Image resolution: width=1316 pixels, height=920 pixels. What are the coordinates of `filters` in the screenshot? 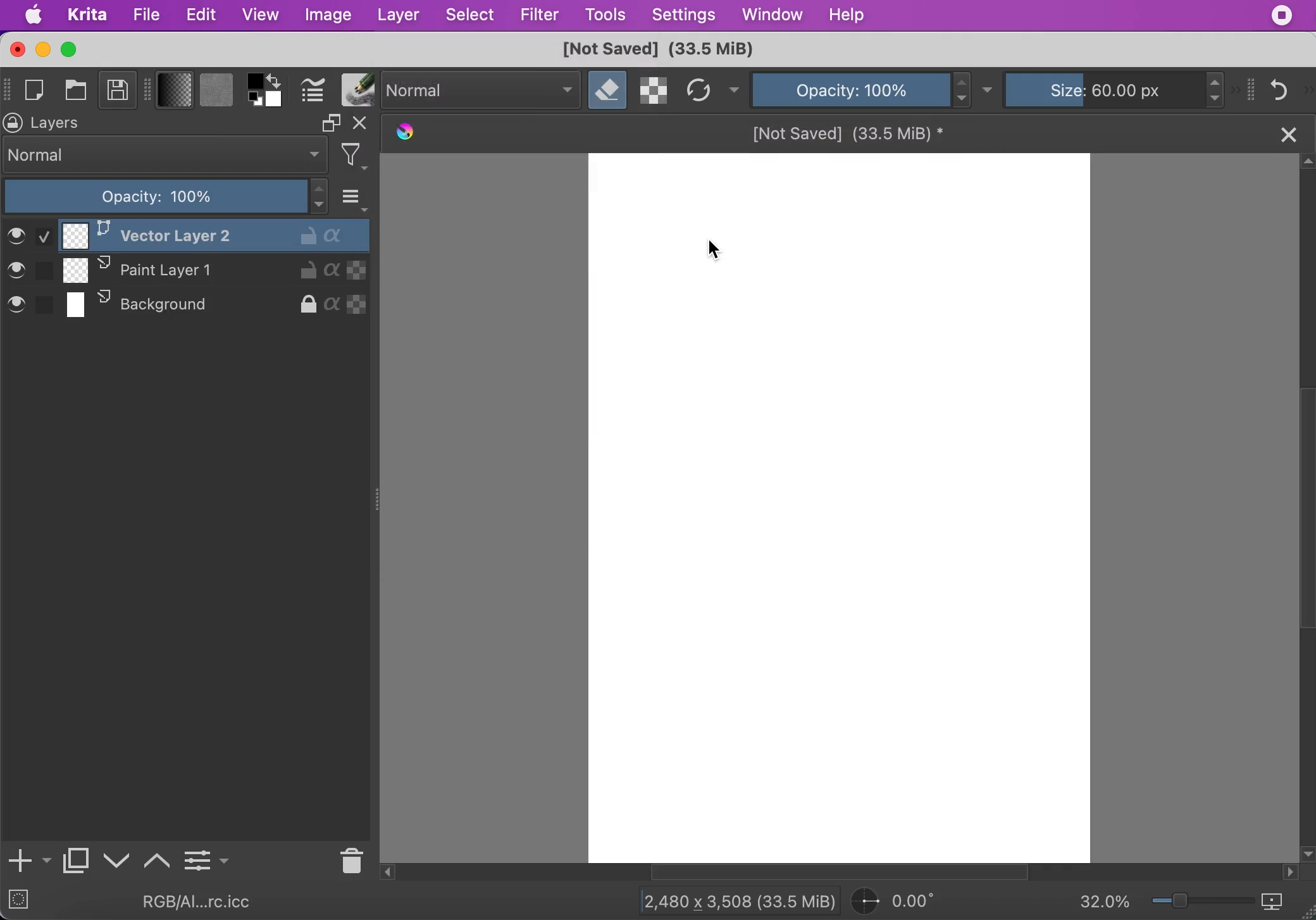 It's located at (358, 156).